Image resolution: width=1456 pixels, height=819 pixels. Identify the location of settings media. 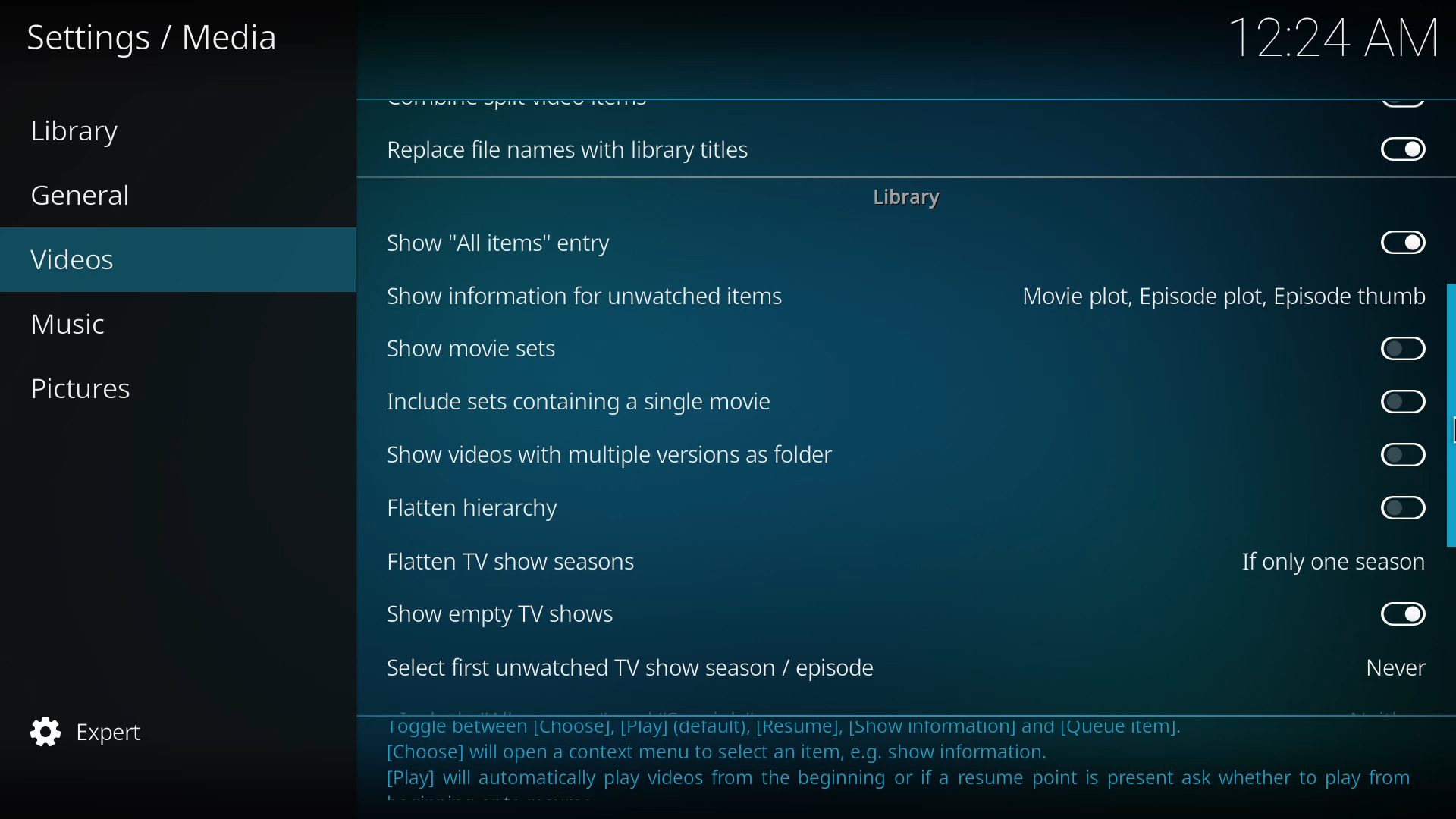
(161, 36).